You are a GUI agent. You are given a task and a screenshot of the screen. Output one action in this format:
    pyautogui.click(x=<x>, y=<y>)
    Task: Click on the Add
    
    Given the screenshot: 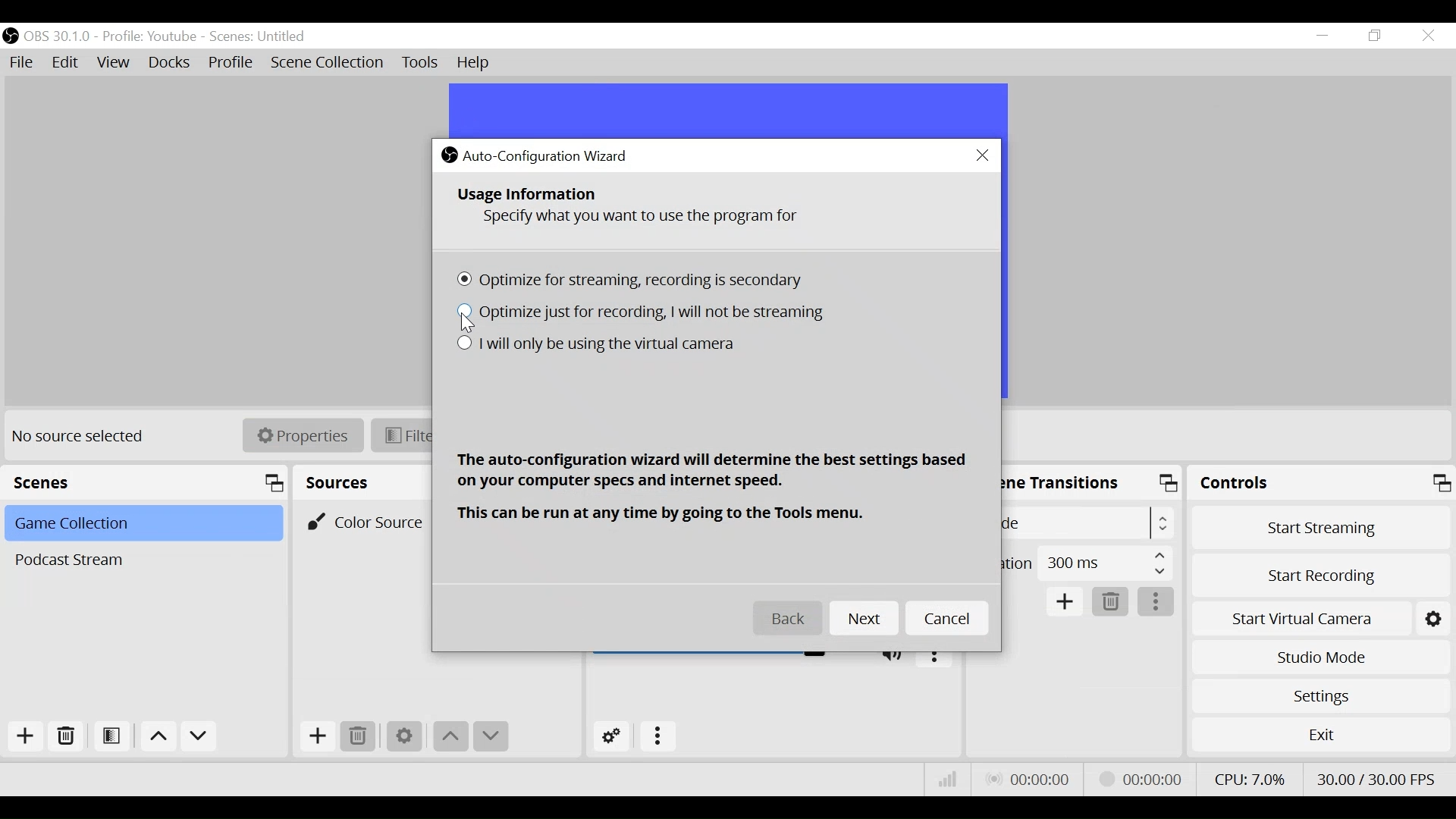 What is the action you would take?
    pyautogui.click(x=1065, y=602)
    